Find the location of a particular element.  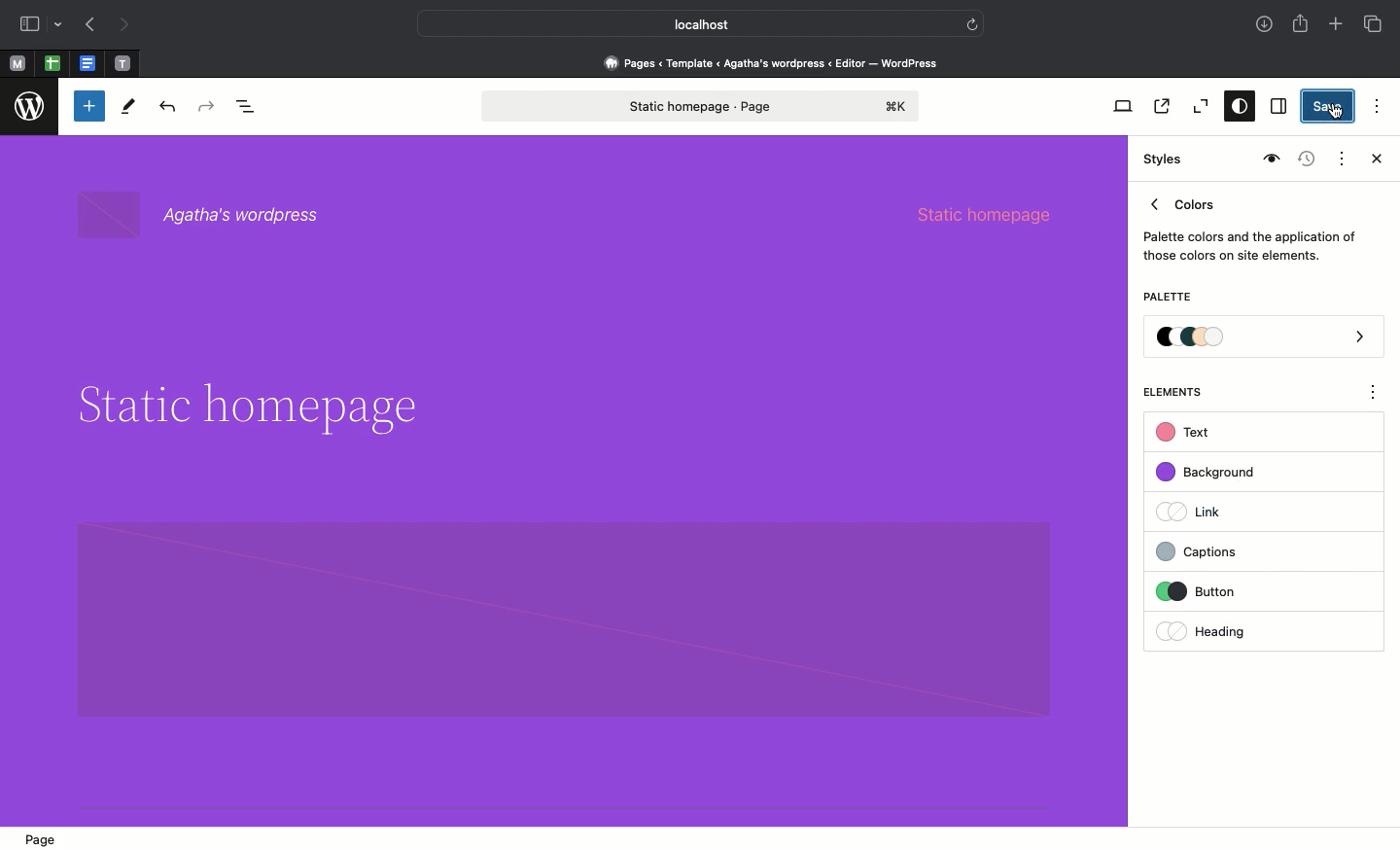

View is located at coordinates (1119, 106).